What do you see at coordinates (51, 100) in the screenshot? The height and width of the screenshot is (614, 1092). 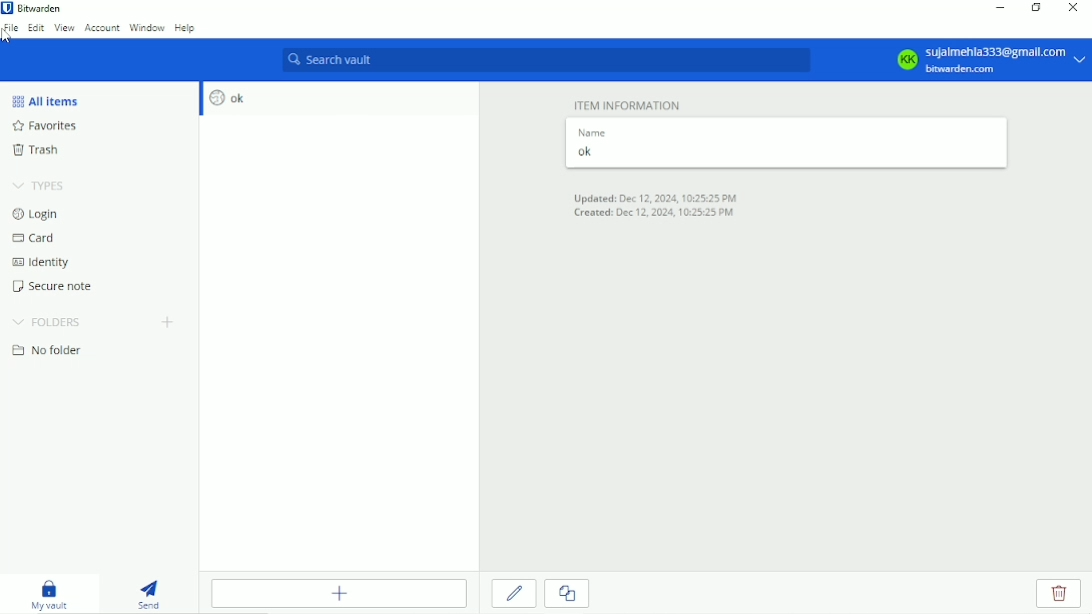 I see `All items` at bounding box center [51, 100].